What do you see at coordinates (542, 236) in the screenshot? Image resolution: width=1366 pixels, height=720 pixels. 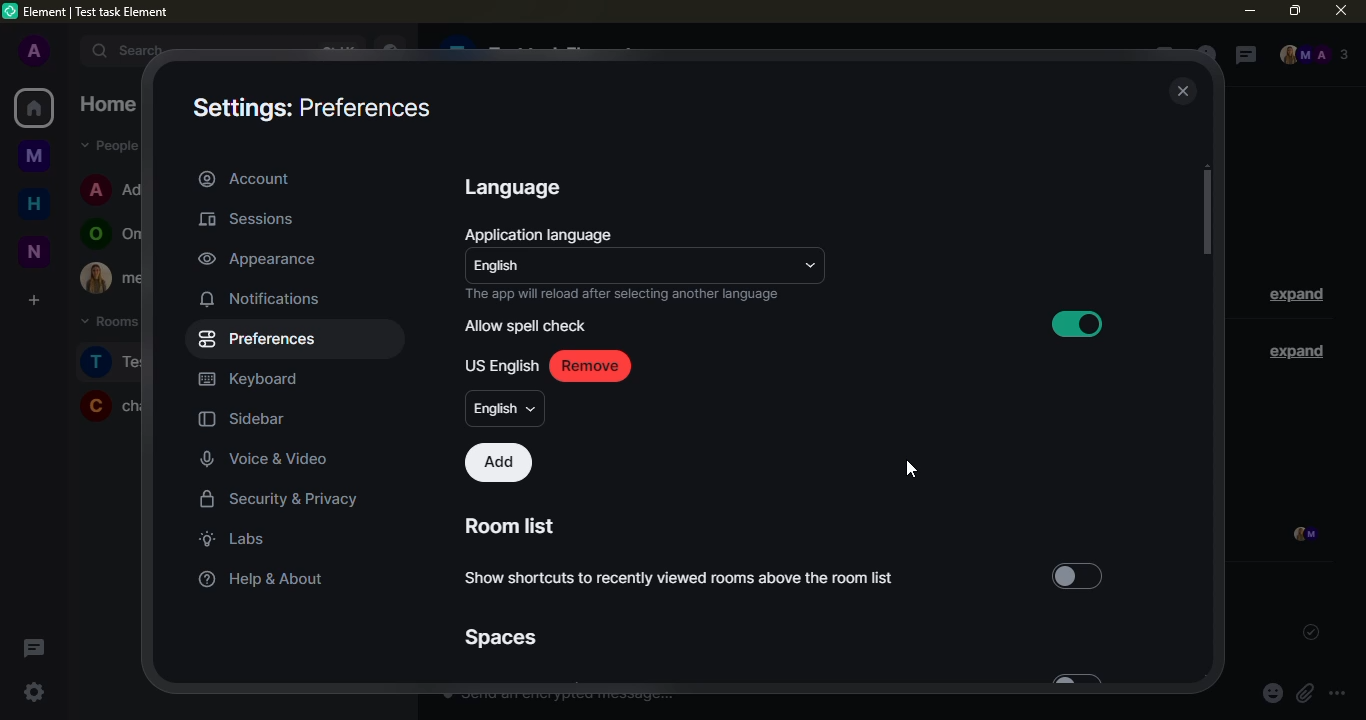 I see `application` at bounding box center [542, 236].